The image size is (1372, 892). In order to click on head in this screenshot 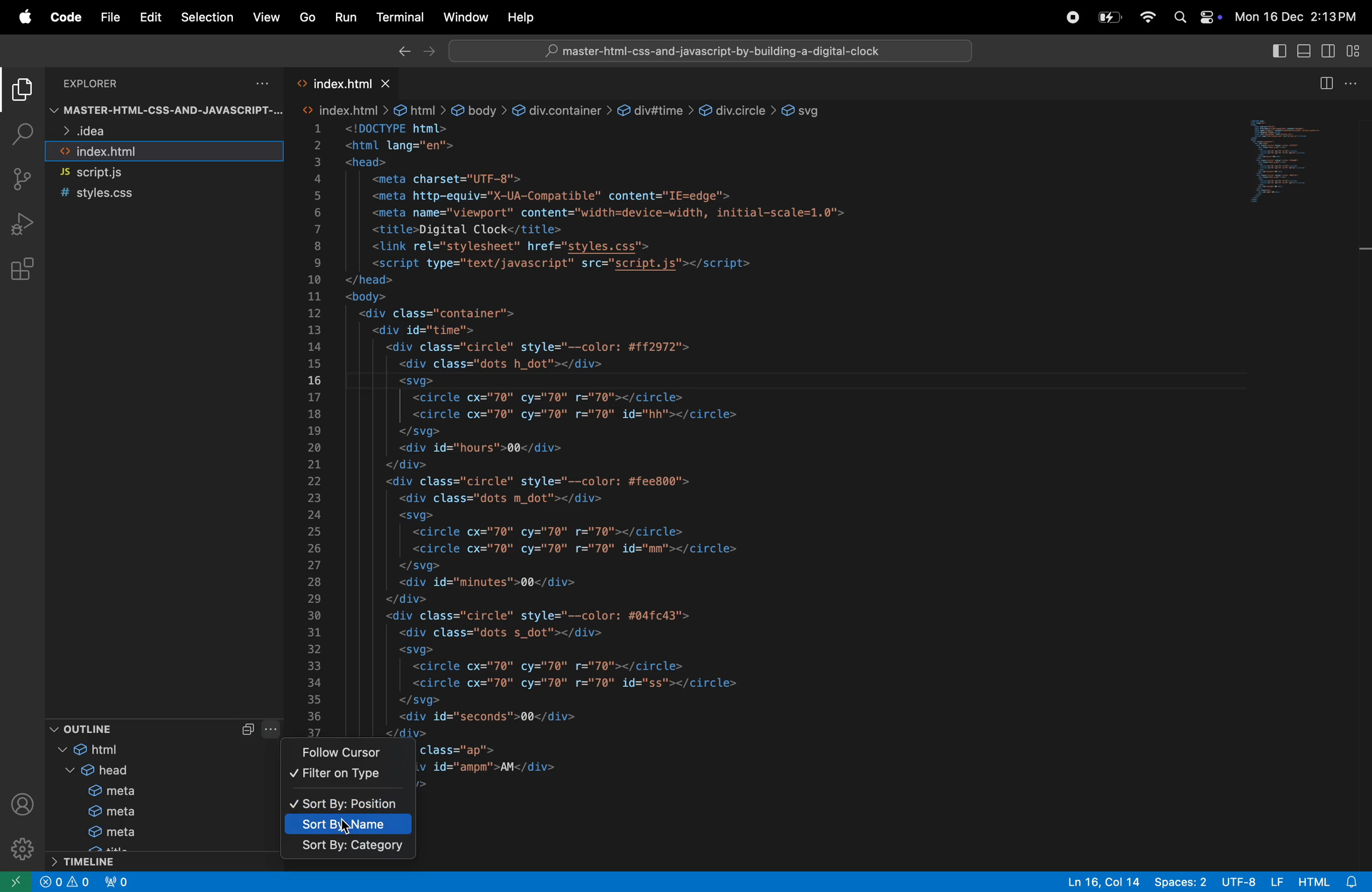, I will do `click(163, 770)`.